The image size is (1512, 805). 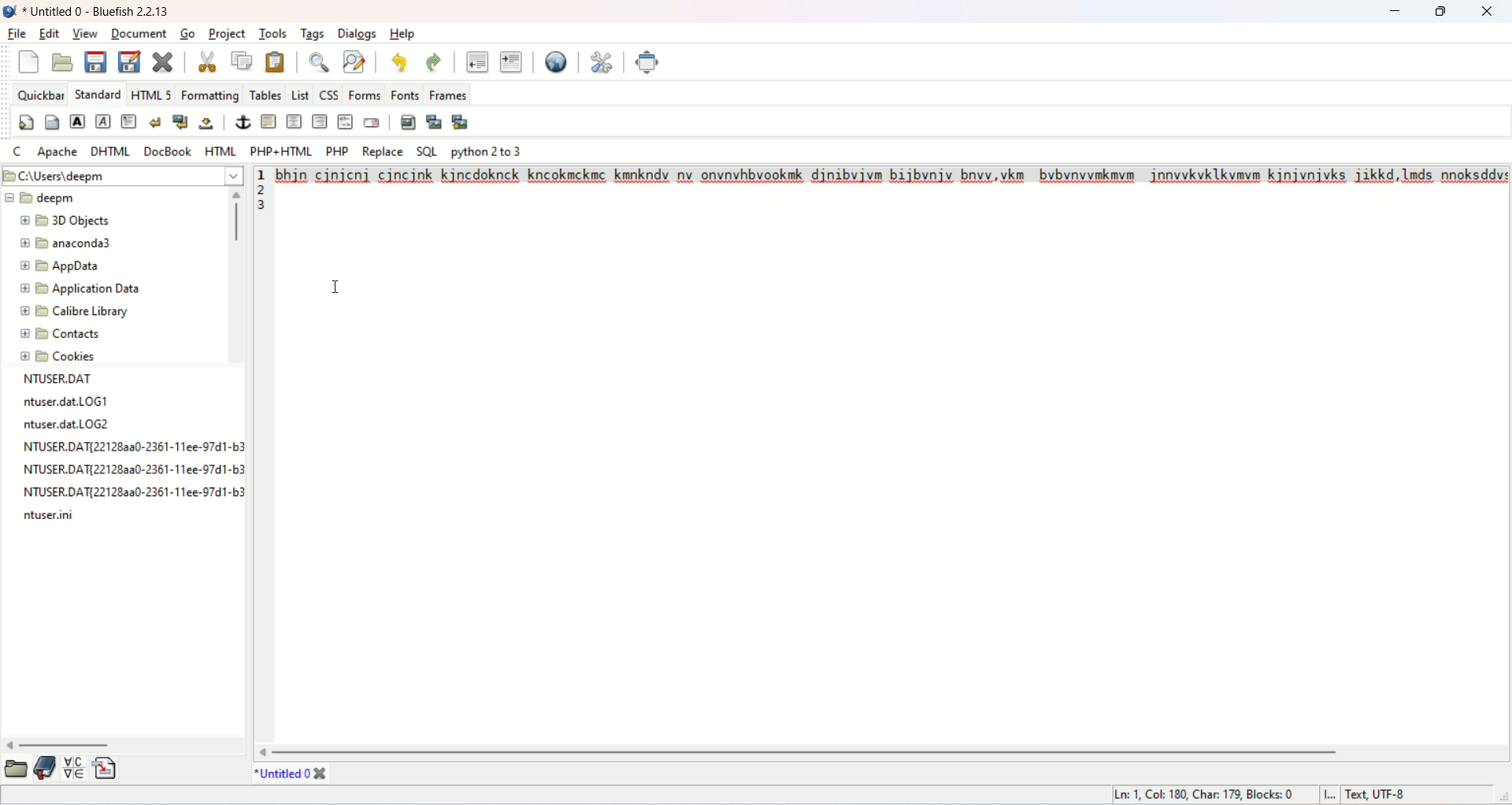 What do you see at coordinates (128, 121) in the screenshot?
I see `paragraph` at bounding box center [128, 121].